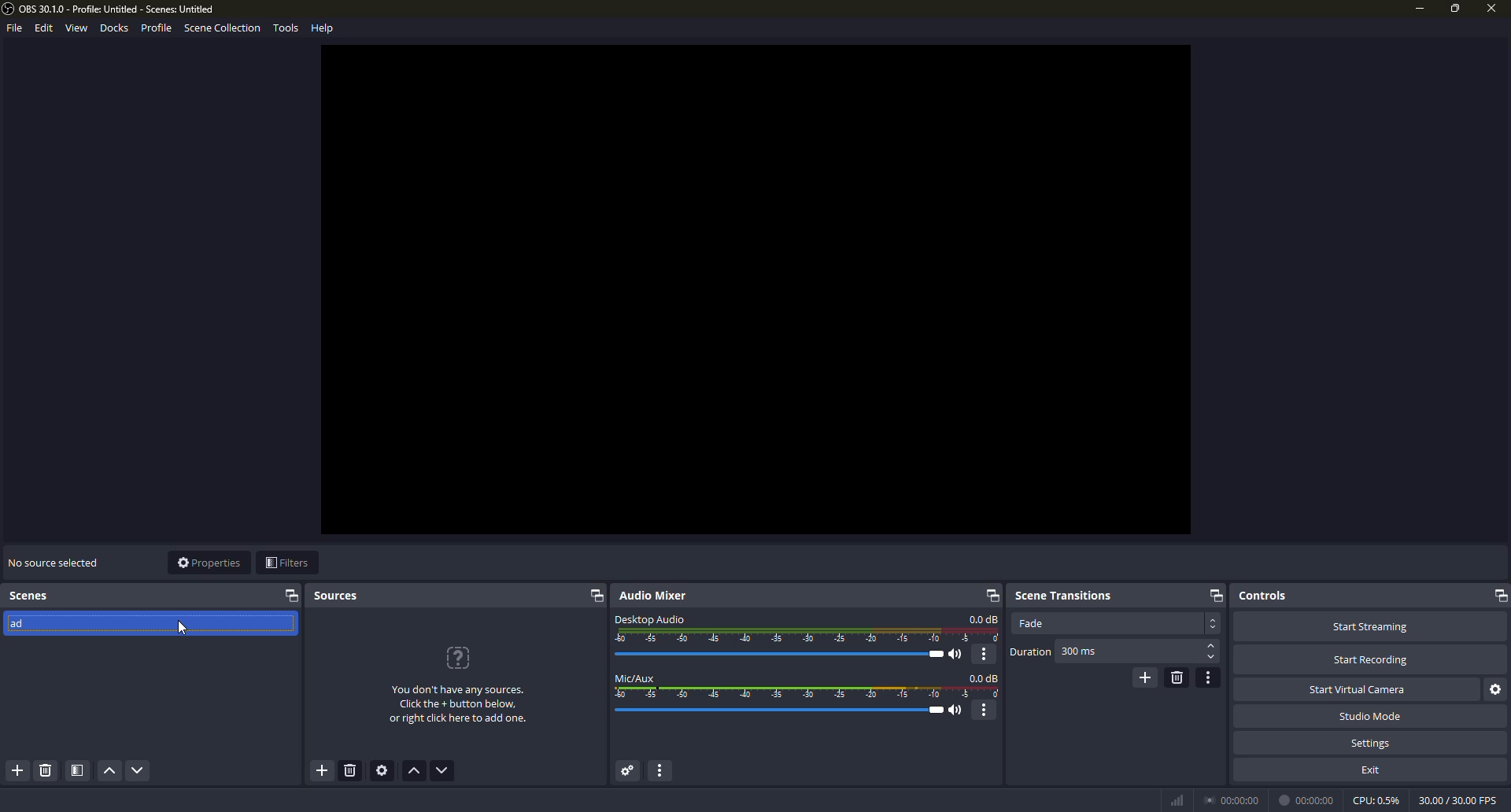 This screenshot has width=1511, height=812. I want to click on ?, so click(460, 658).